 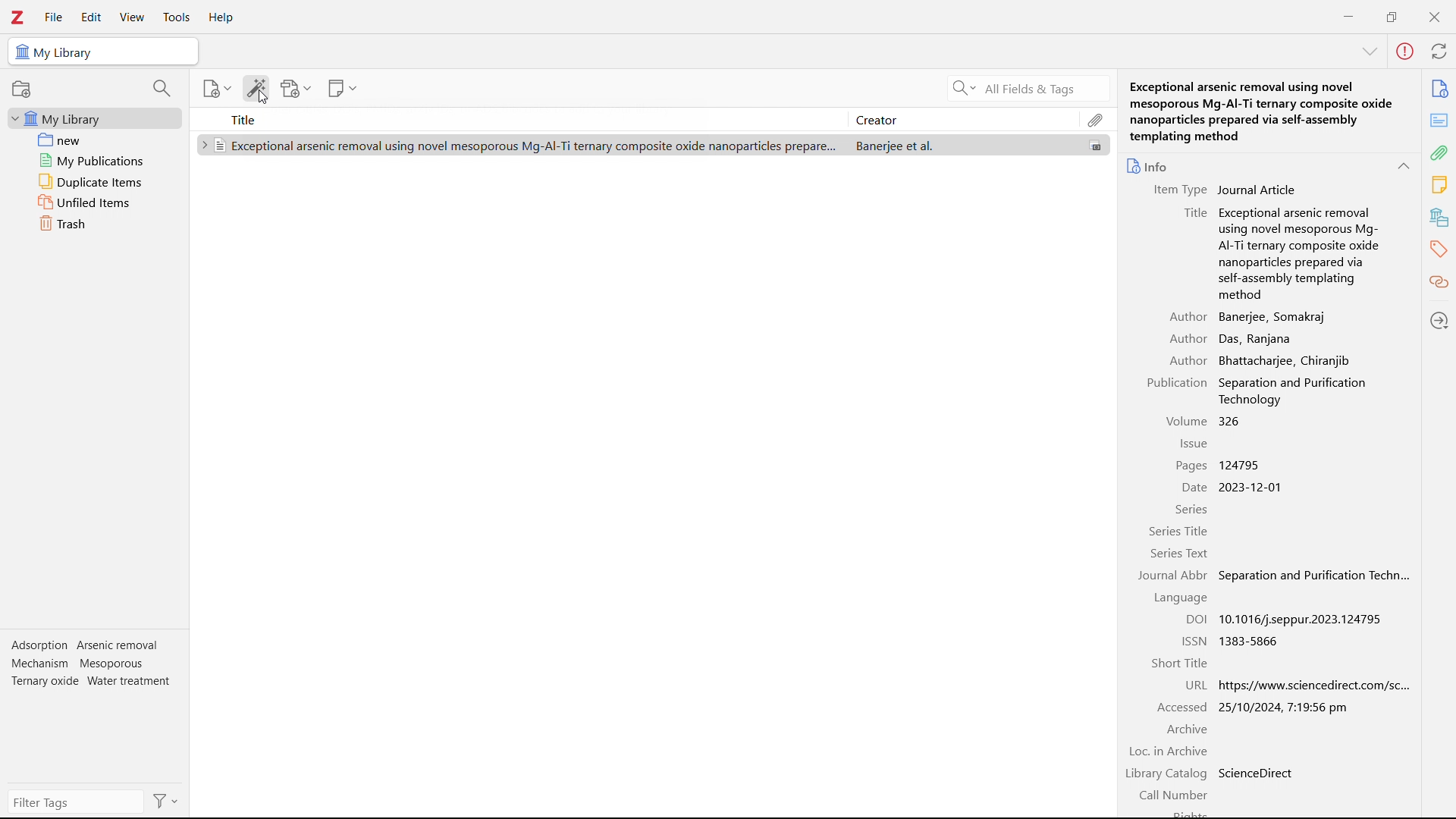 I want to click on volume, so click(x=1185, y=421).